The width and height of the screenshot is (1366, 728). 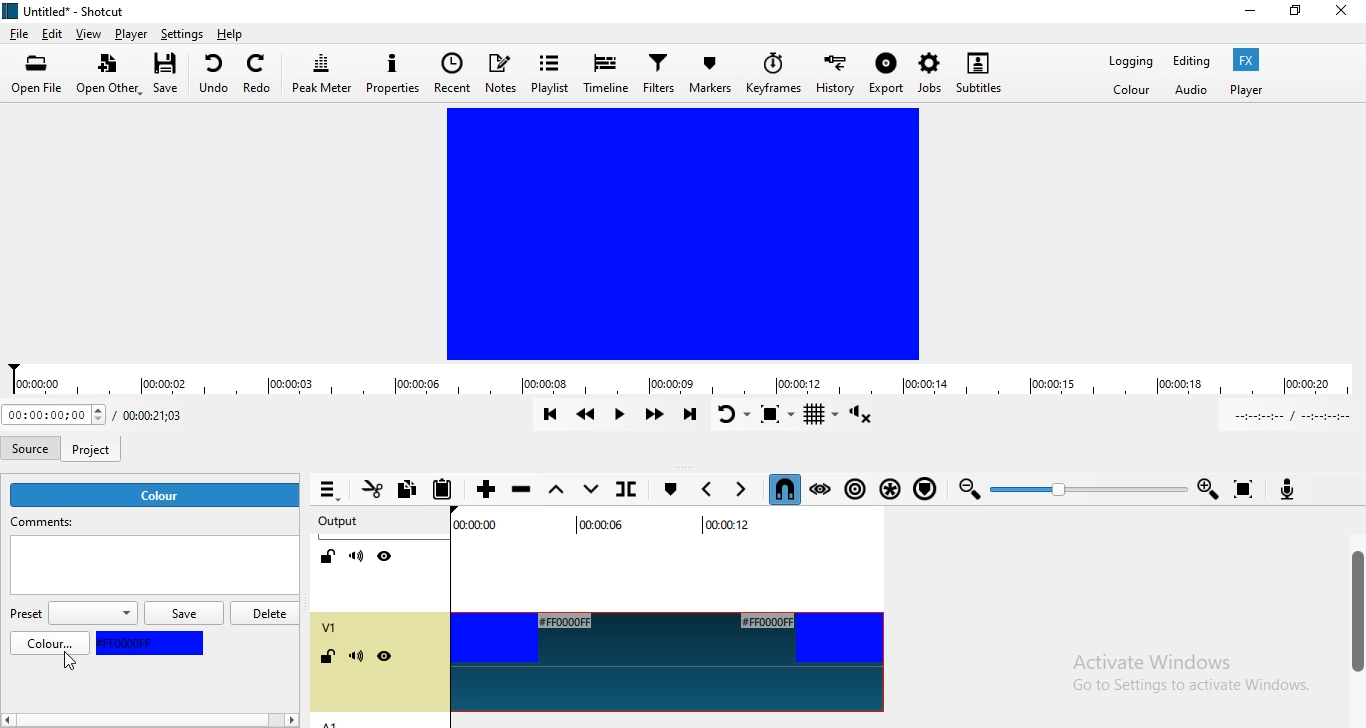 I want to click on create/edit marker, so click(x=669, y=490).